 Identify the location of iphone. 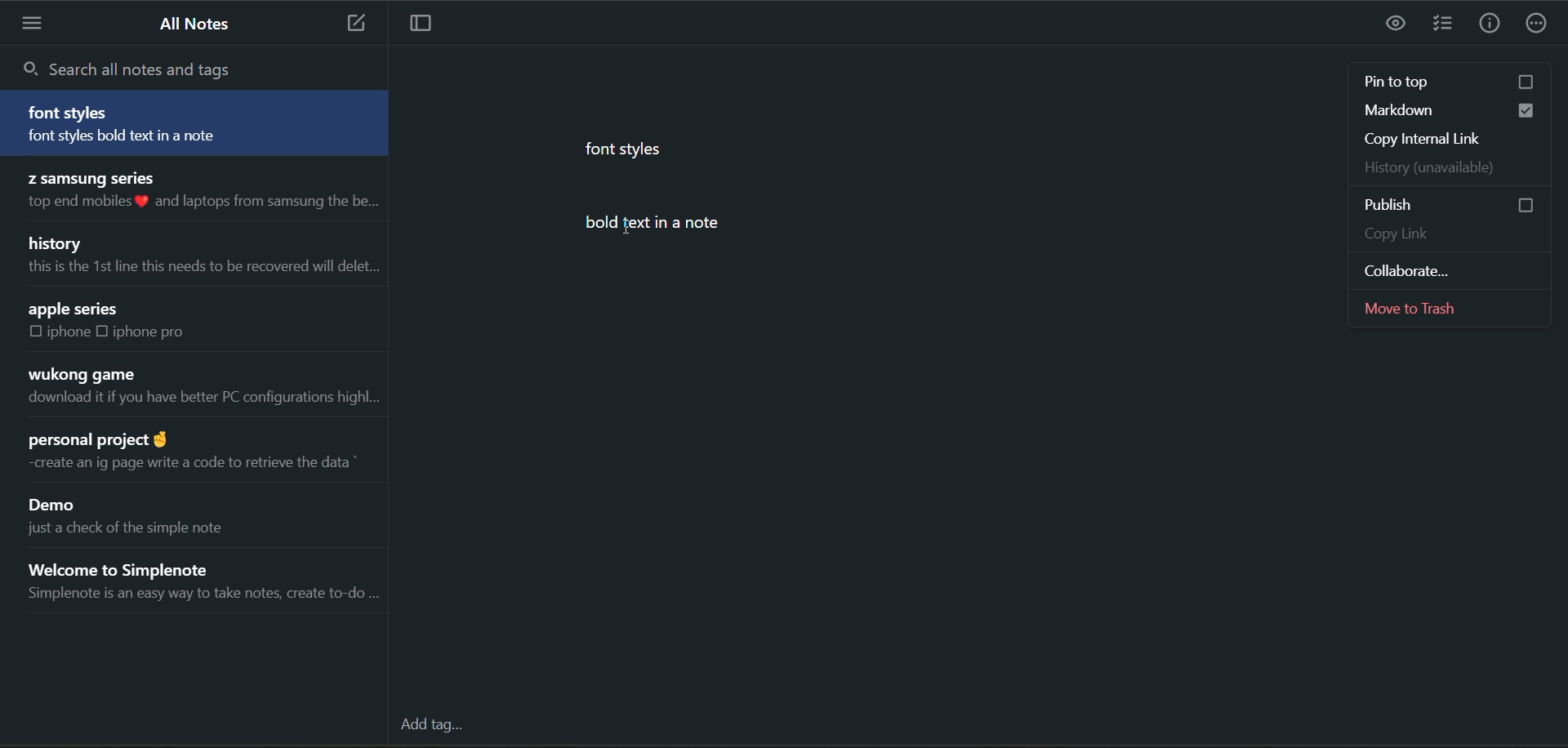
(70, 332).